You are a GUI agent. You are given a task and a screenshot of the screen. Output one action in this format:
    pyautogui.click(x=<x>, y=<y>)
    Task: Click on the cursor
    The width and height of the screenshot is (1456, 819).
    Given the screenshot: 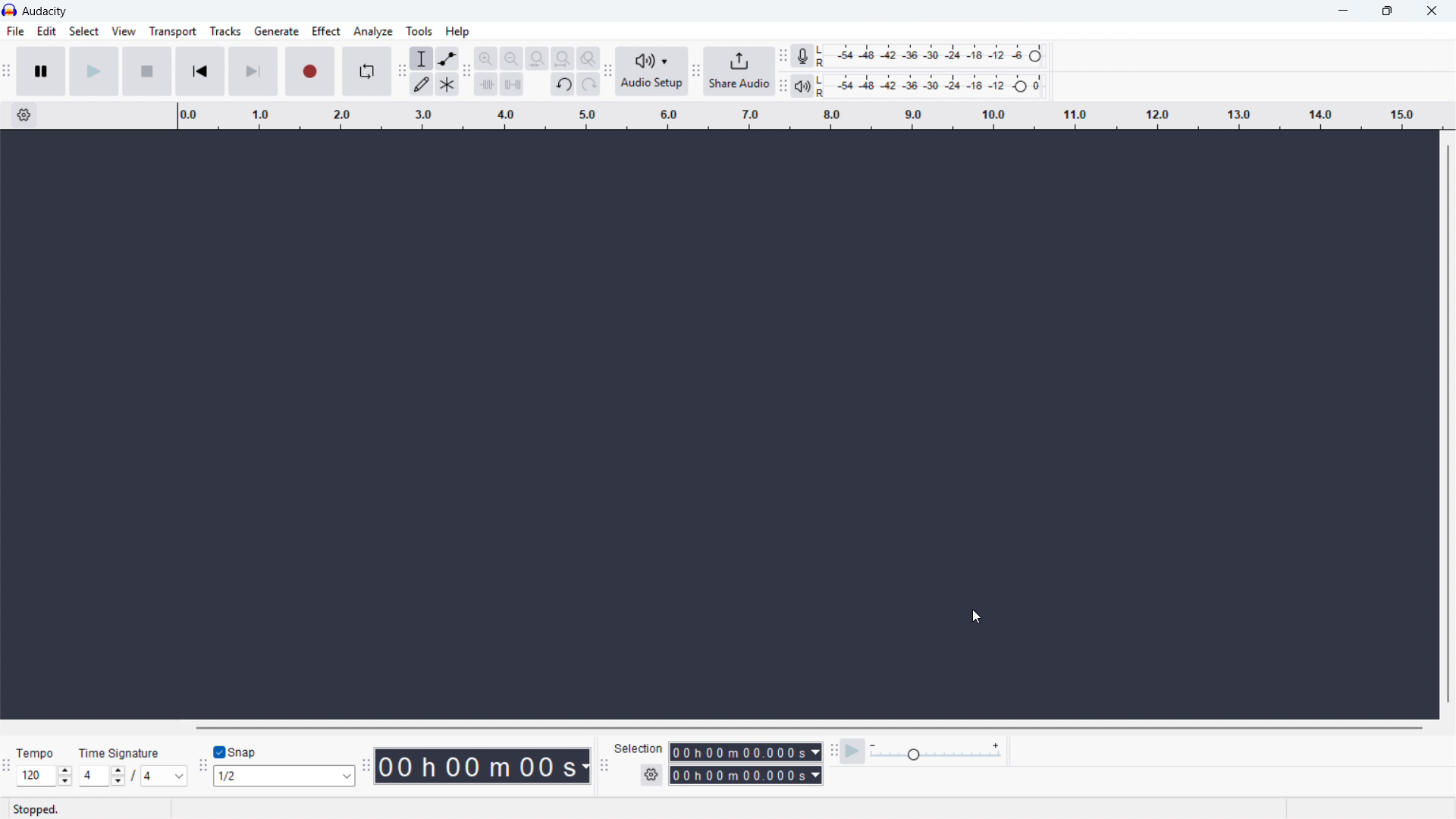 What is the action you would take?
    pyautogui.click(x=976, y=617)
    